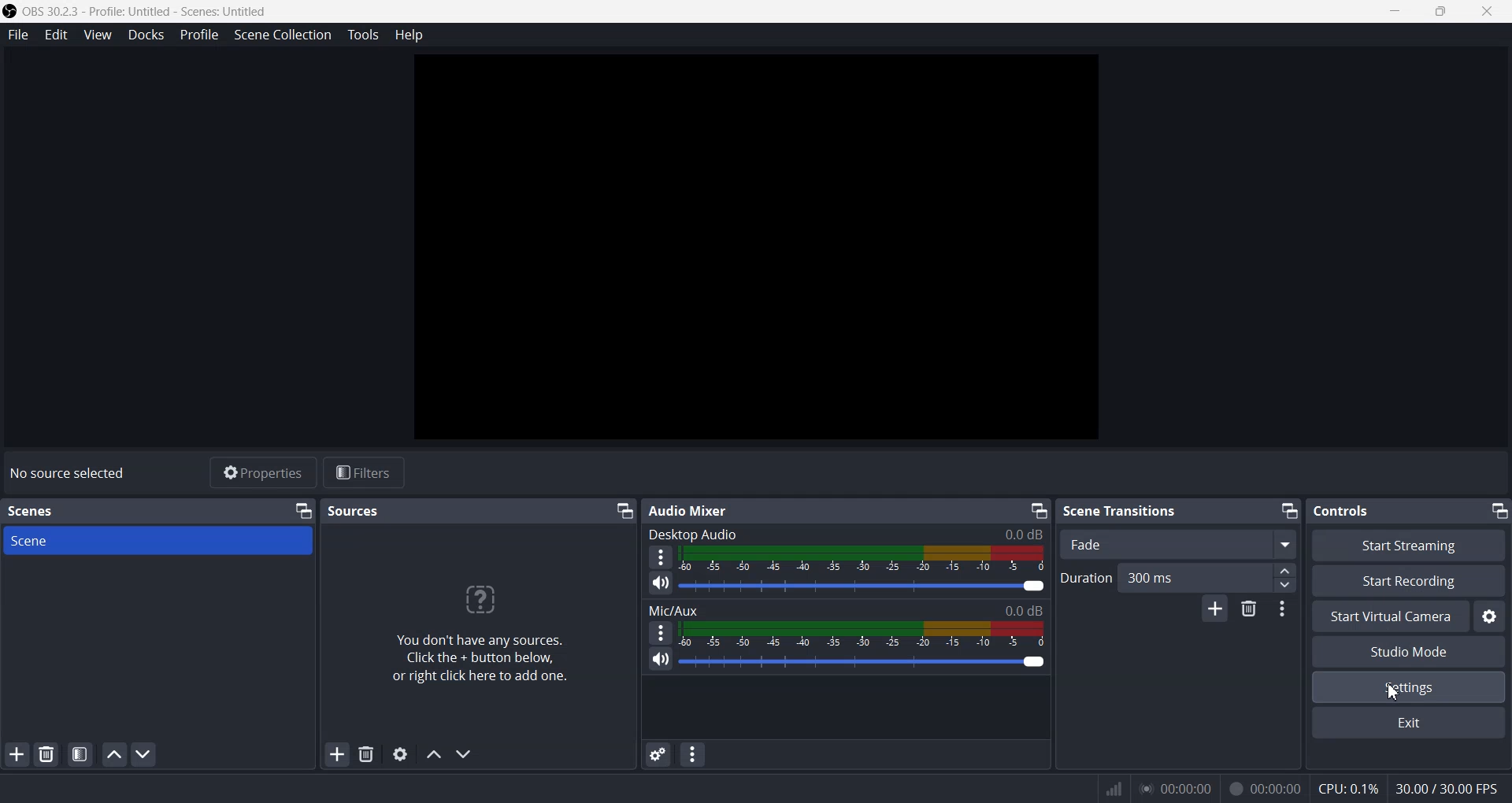 This screenshot has height=803, width=1512. I want to click on CPU: 0.1%, so click(1345, 788).